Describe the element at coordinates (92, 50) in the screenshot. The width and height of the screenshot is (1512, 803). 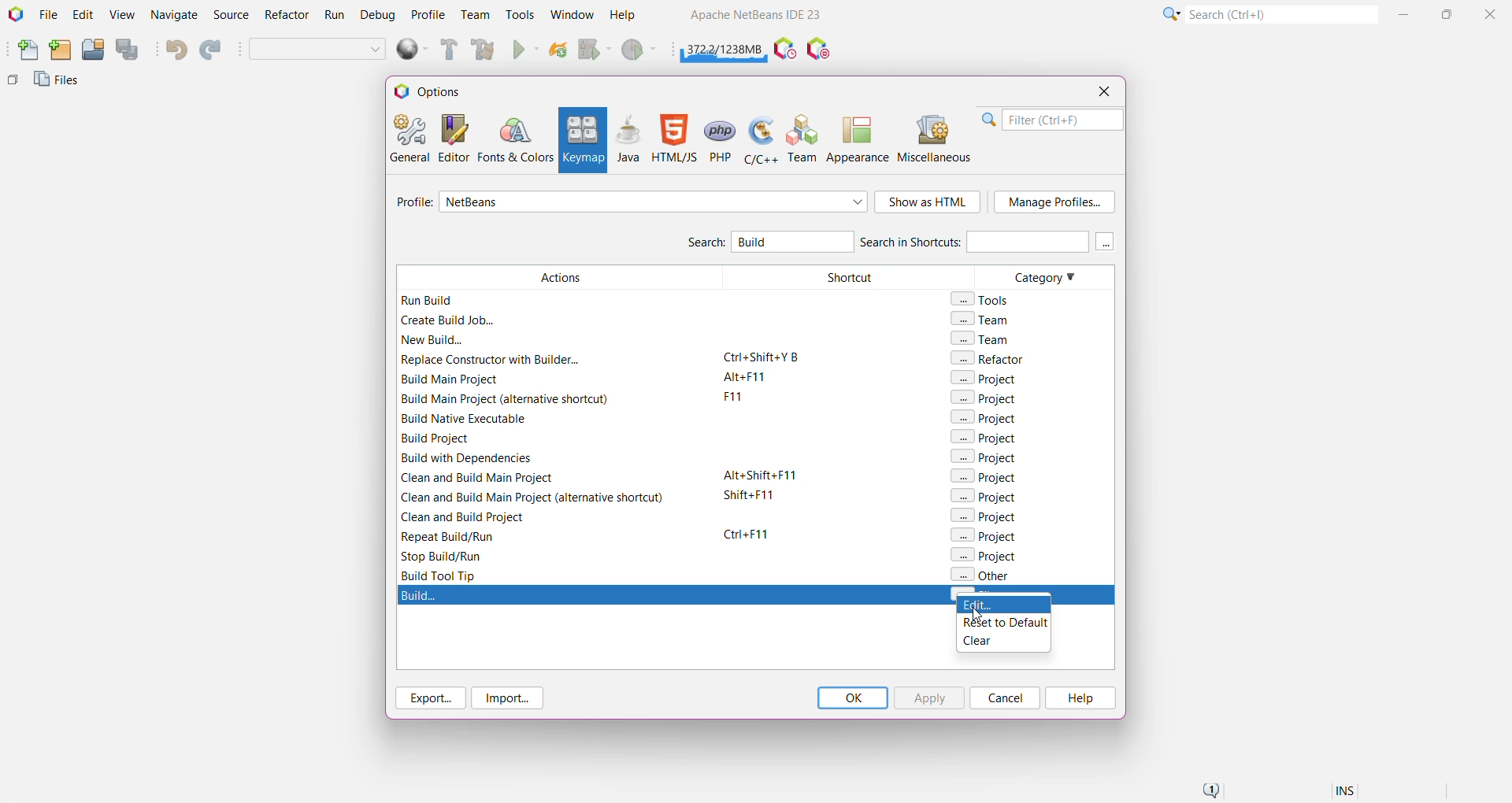
I see `Open Project` at that location.